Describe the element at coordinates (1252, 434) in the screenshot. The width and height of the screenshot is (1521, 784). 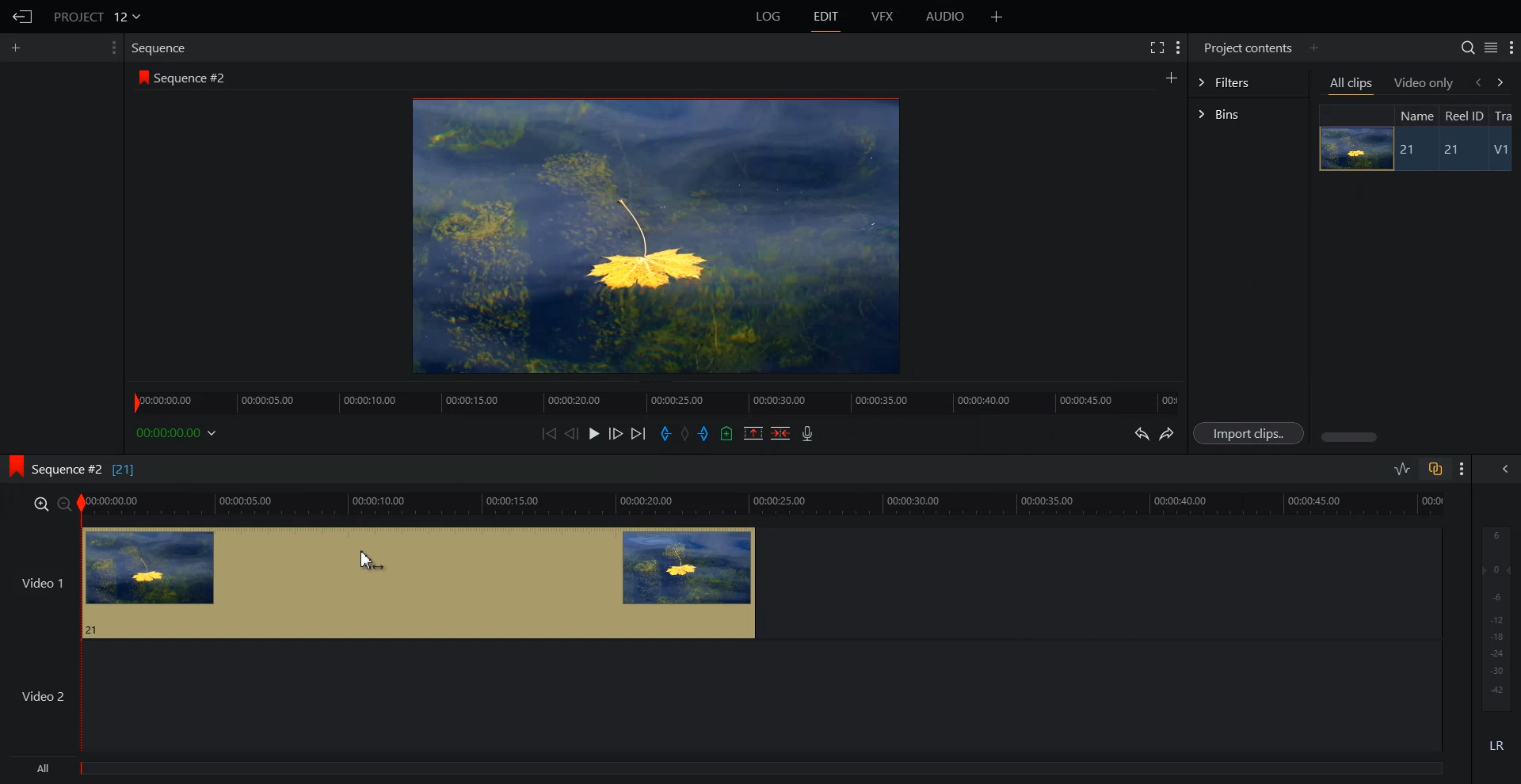
I see `Import clips` at that location.